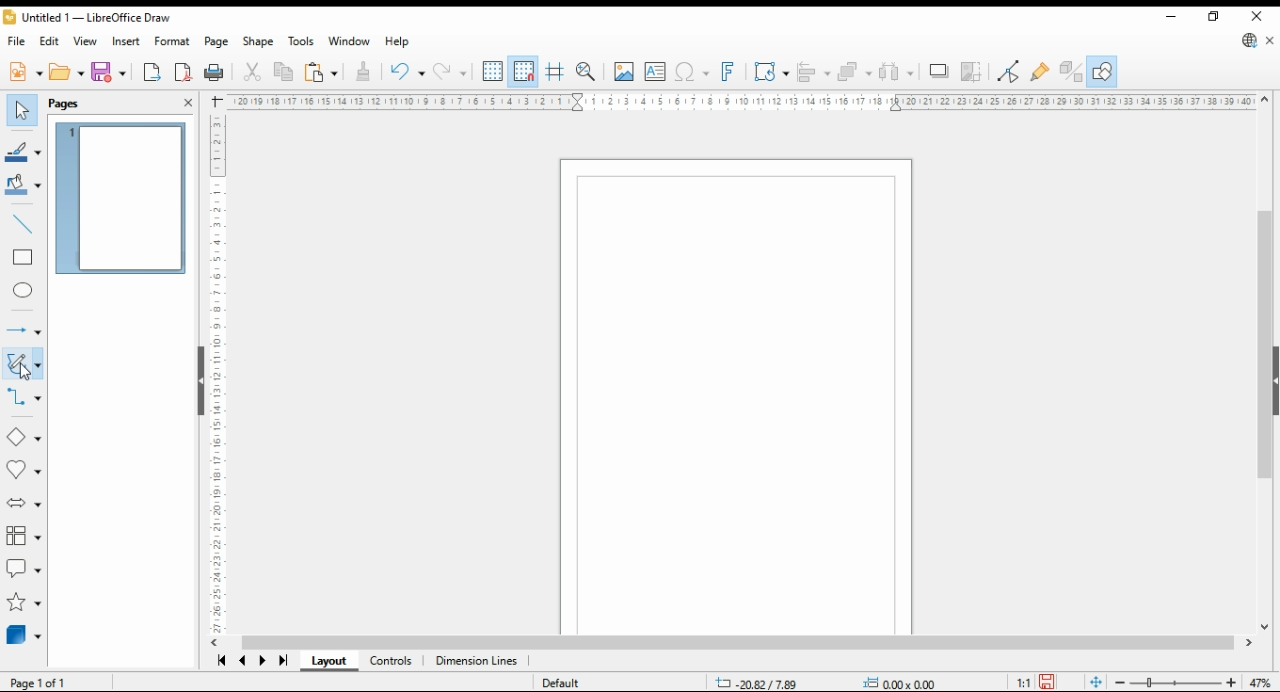 This screenshot has width=1280, height=692. What do you see at coordinates (1263, 366) in the screenshot?
I see `scroll bar` at bounding box center [1263, 366].